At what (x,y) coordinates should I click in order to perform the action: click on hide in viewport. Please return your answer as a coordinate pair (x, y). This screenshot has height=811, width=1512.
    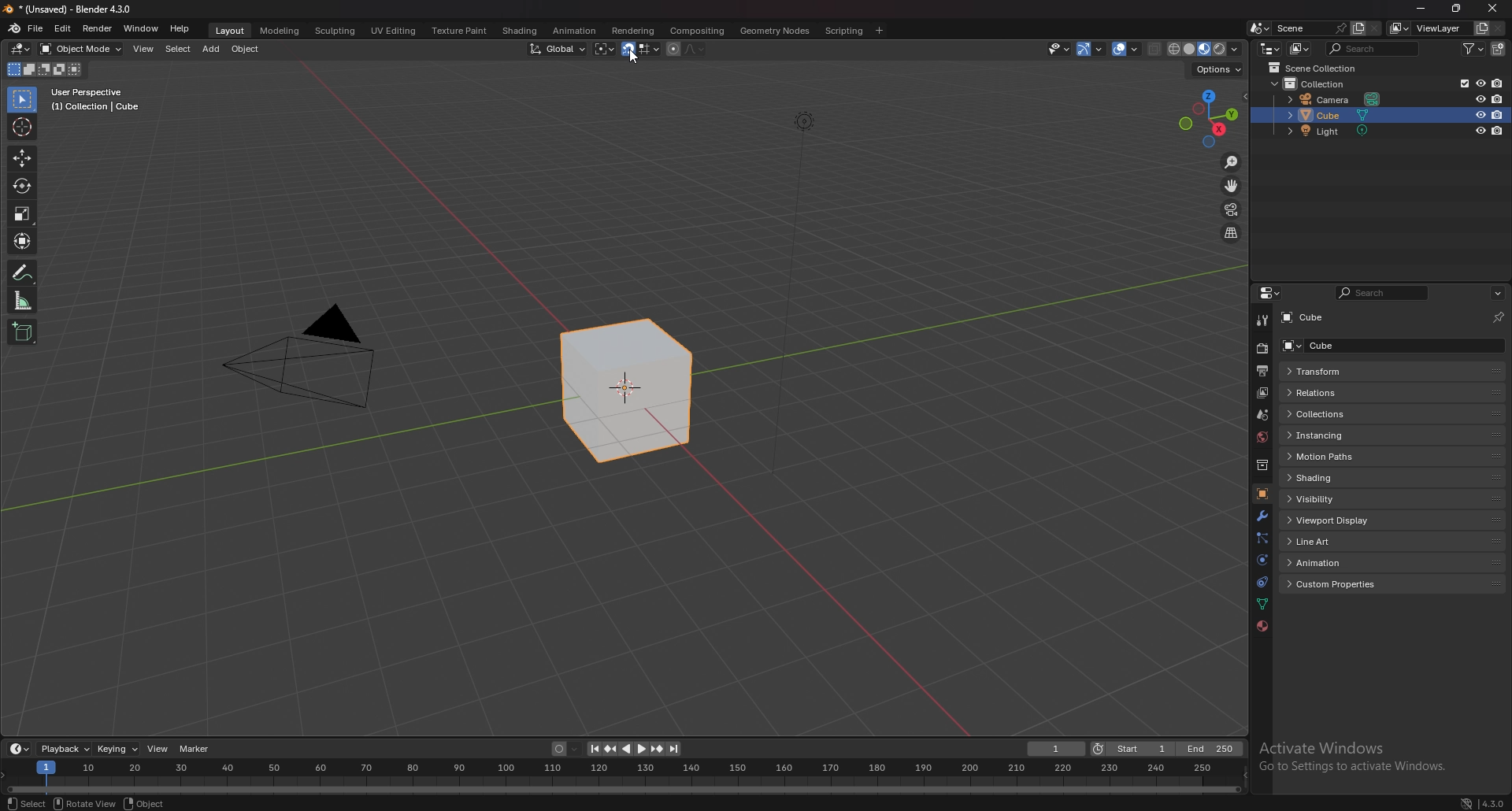
    Looking at the image, I should click on (1479, 98).